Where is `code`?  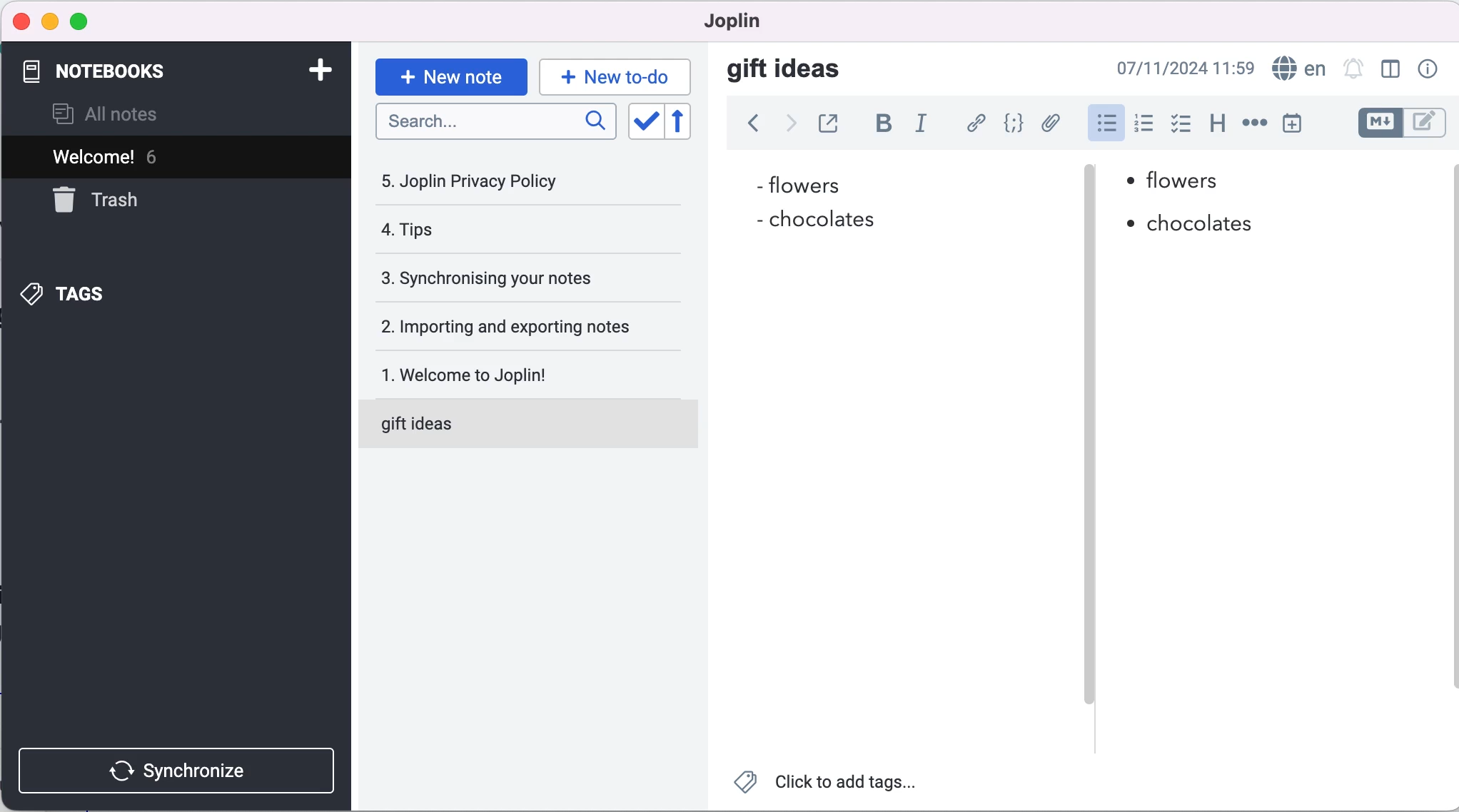
code is located at coordinates (1014, 123).